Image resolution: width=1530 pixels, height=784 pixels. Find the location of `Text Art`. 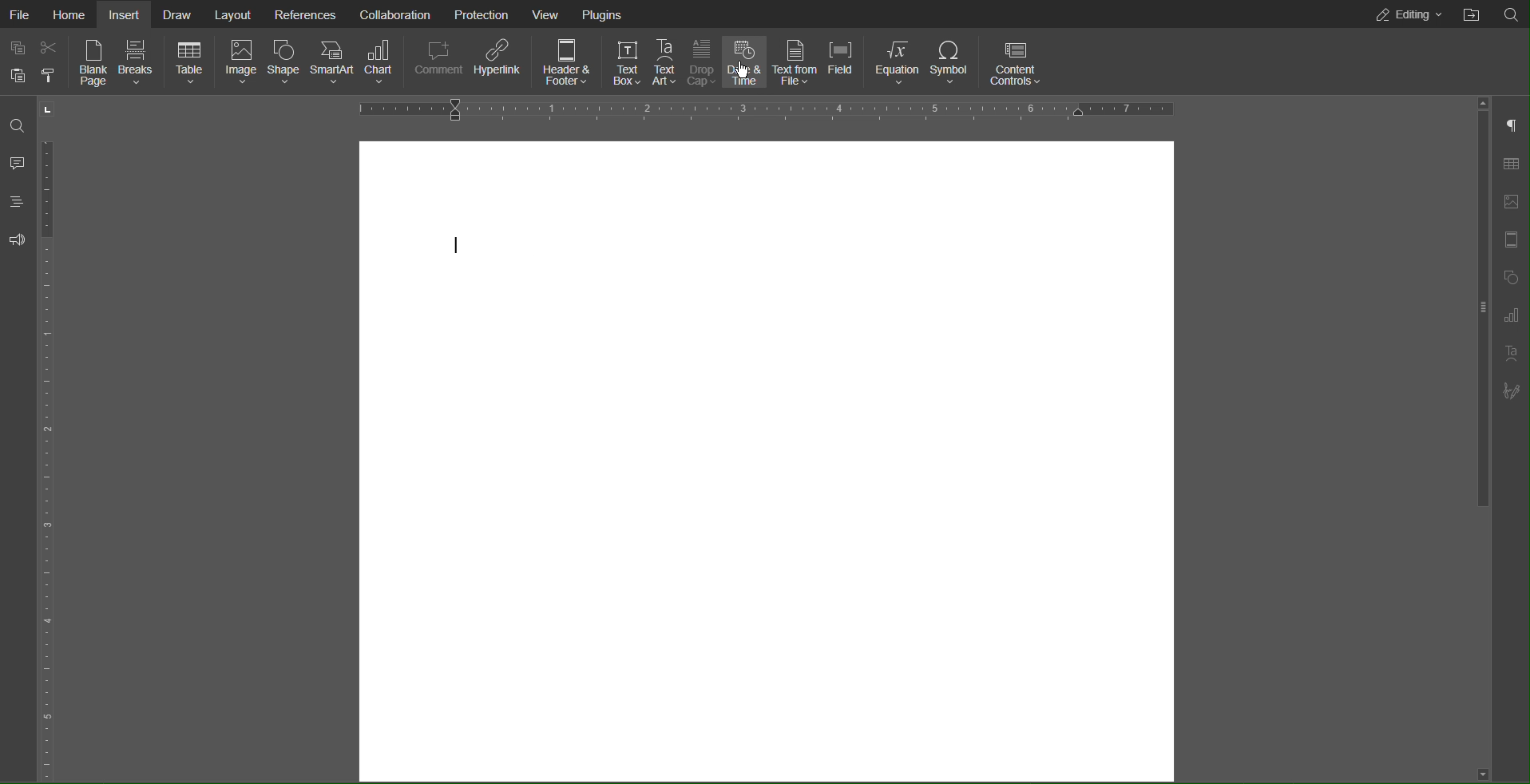

Text Art is located at coordinates (666, 60).